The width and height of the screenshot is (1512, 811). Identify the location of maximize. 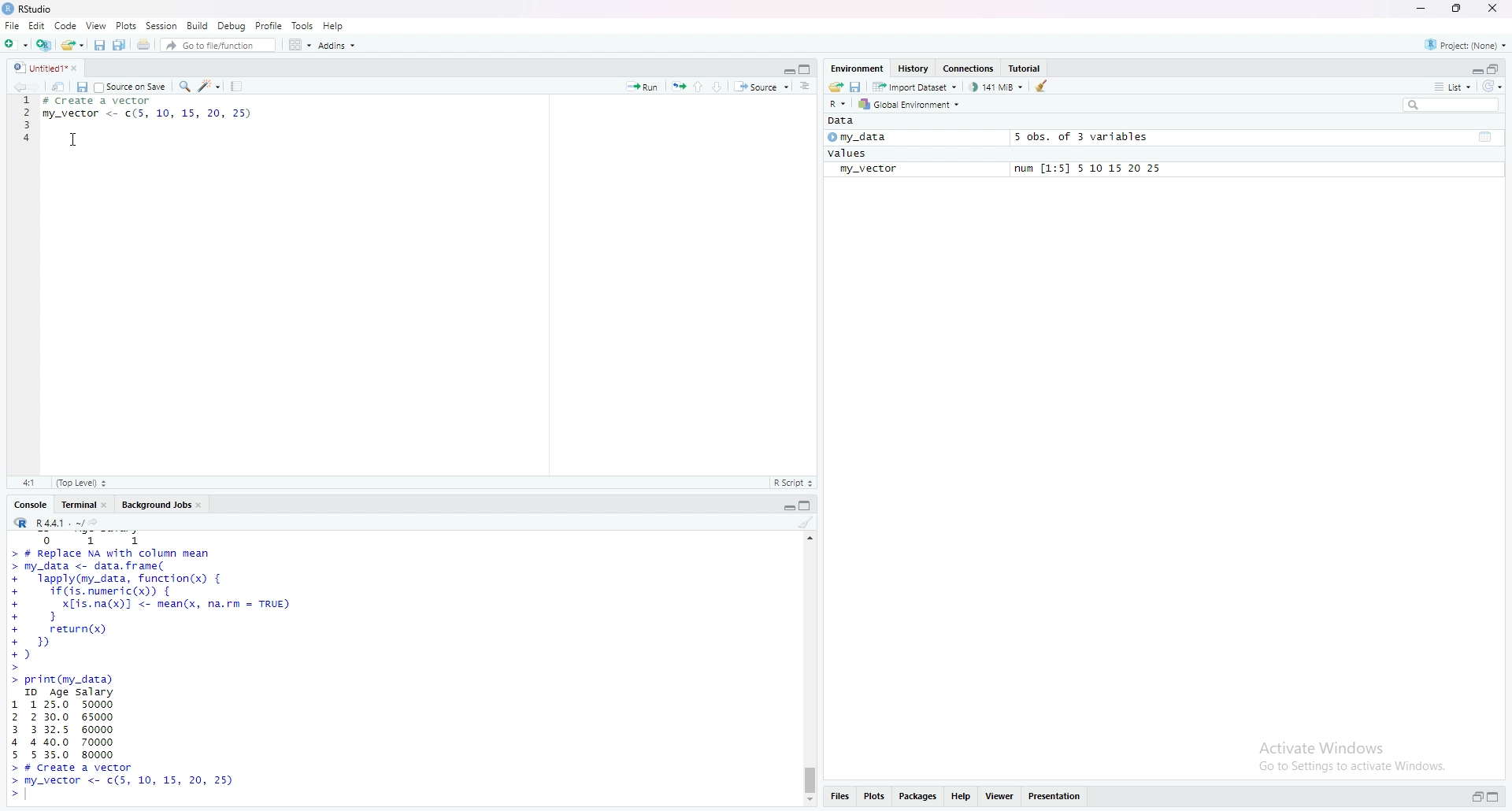
(1458, 8).